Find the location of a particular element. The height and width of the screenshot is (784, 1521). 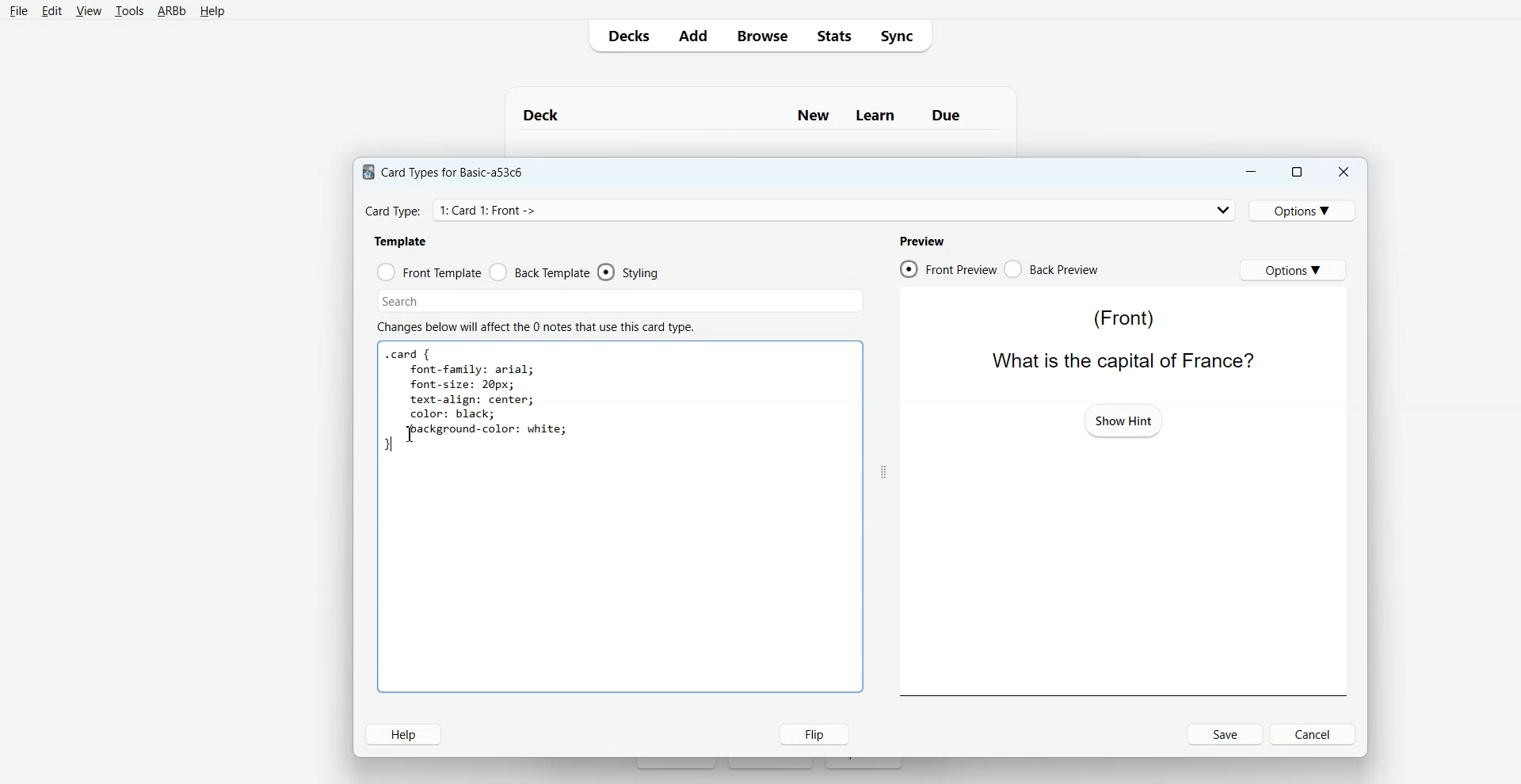

Show Hint is located at coordinates (1123, 420).